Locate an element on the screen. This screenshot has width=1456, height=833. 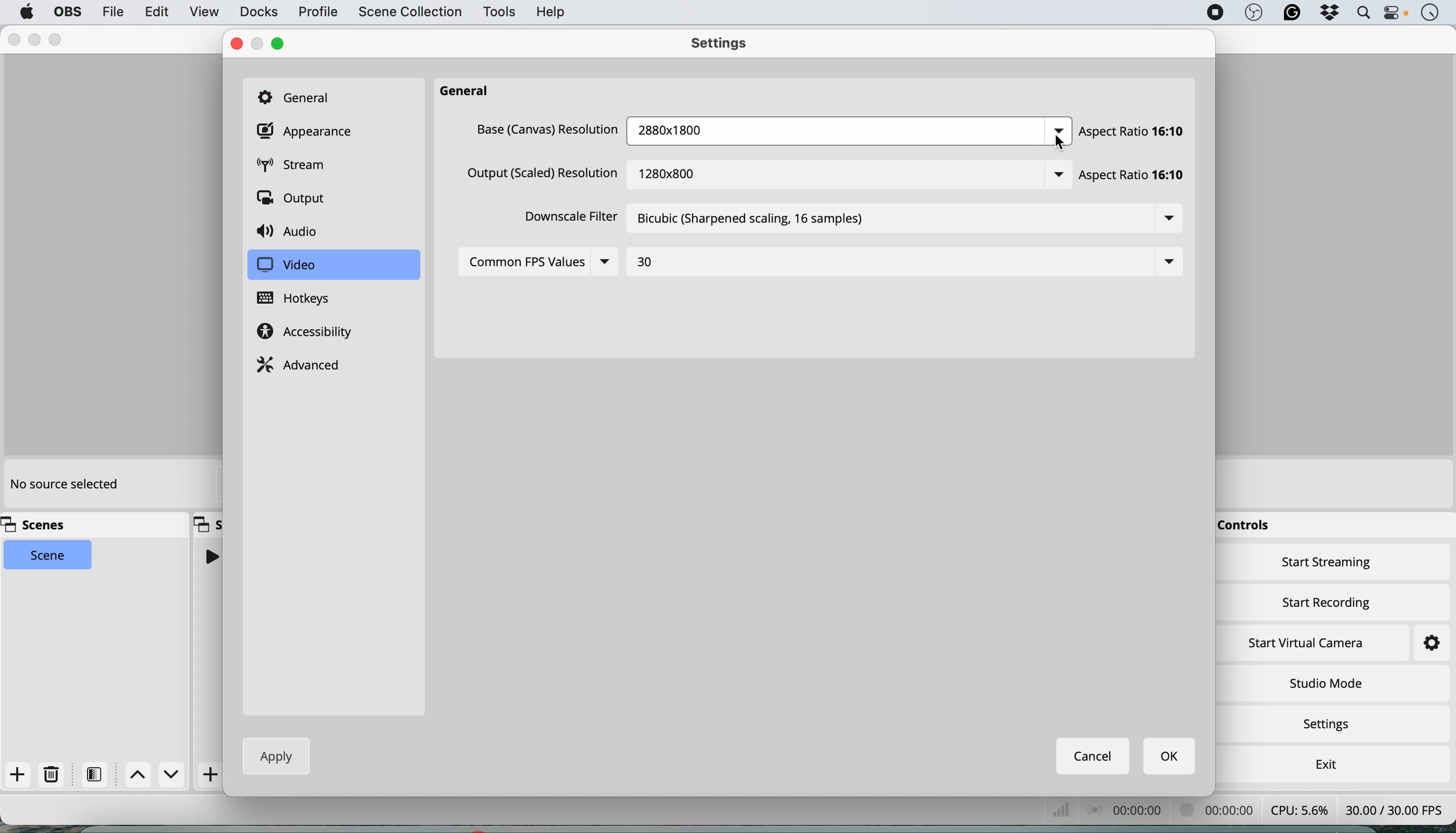
start streaming is located at coordinates (1327, 565).